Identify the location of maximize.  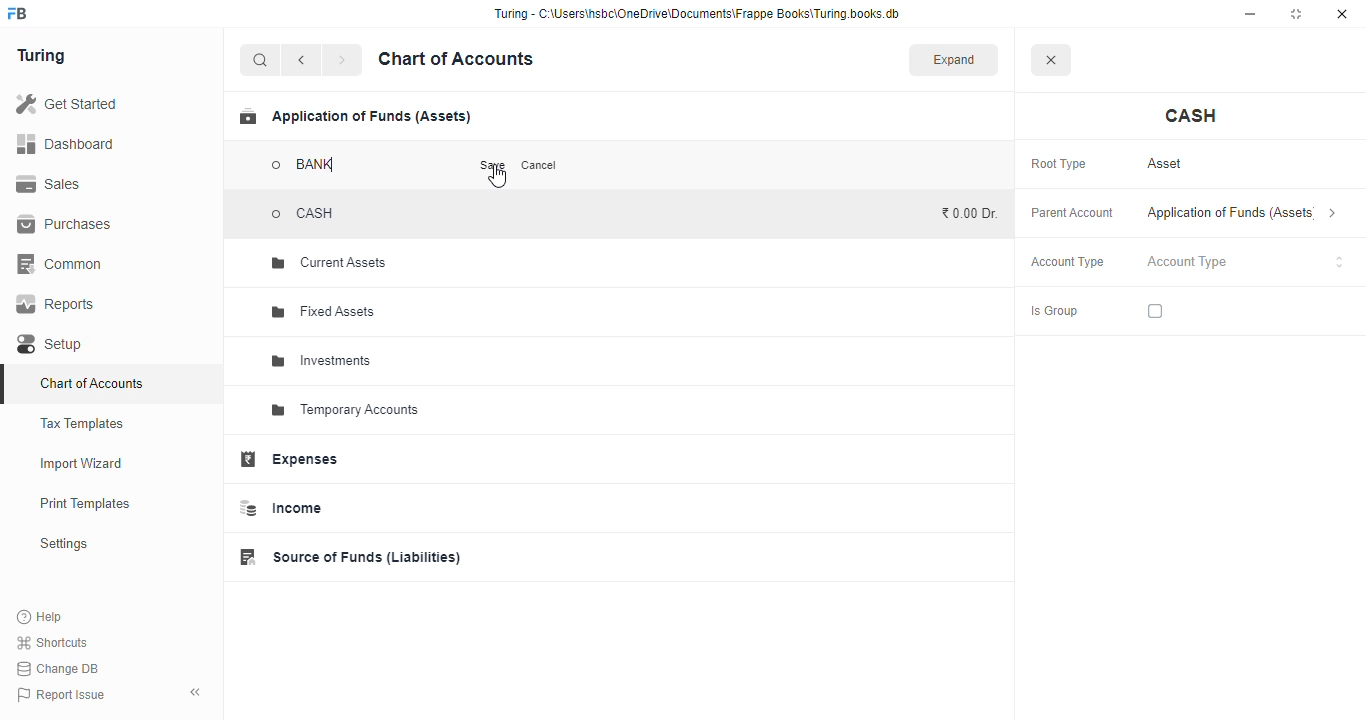
(1296, 14).